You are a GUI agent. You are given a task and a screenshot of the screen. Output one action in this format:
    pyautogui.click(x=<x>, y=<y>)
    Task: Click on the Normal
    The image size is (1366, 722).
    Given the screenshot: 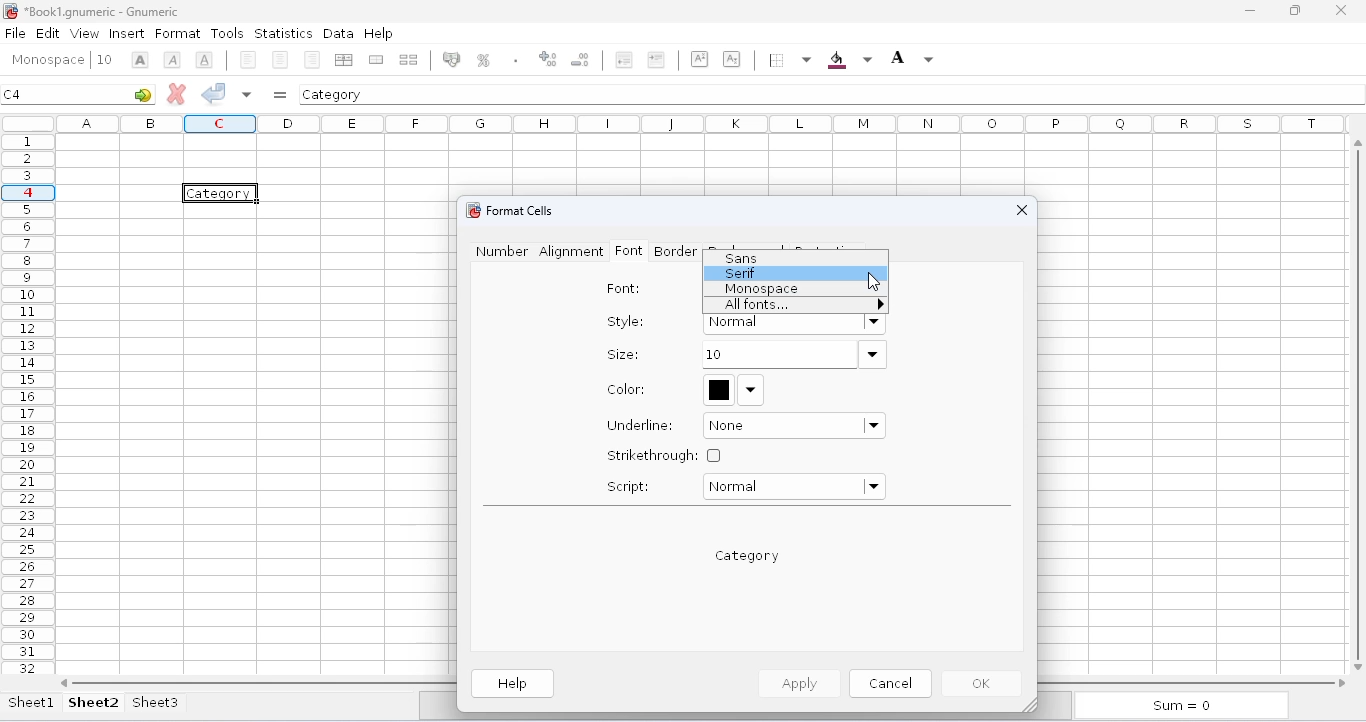 What is the action you would take?
    pyautogui.click(x=794, y=324)
    